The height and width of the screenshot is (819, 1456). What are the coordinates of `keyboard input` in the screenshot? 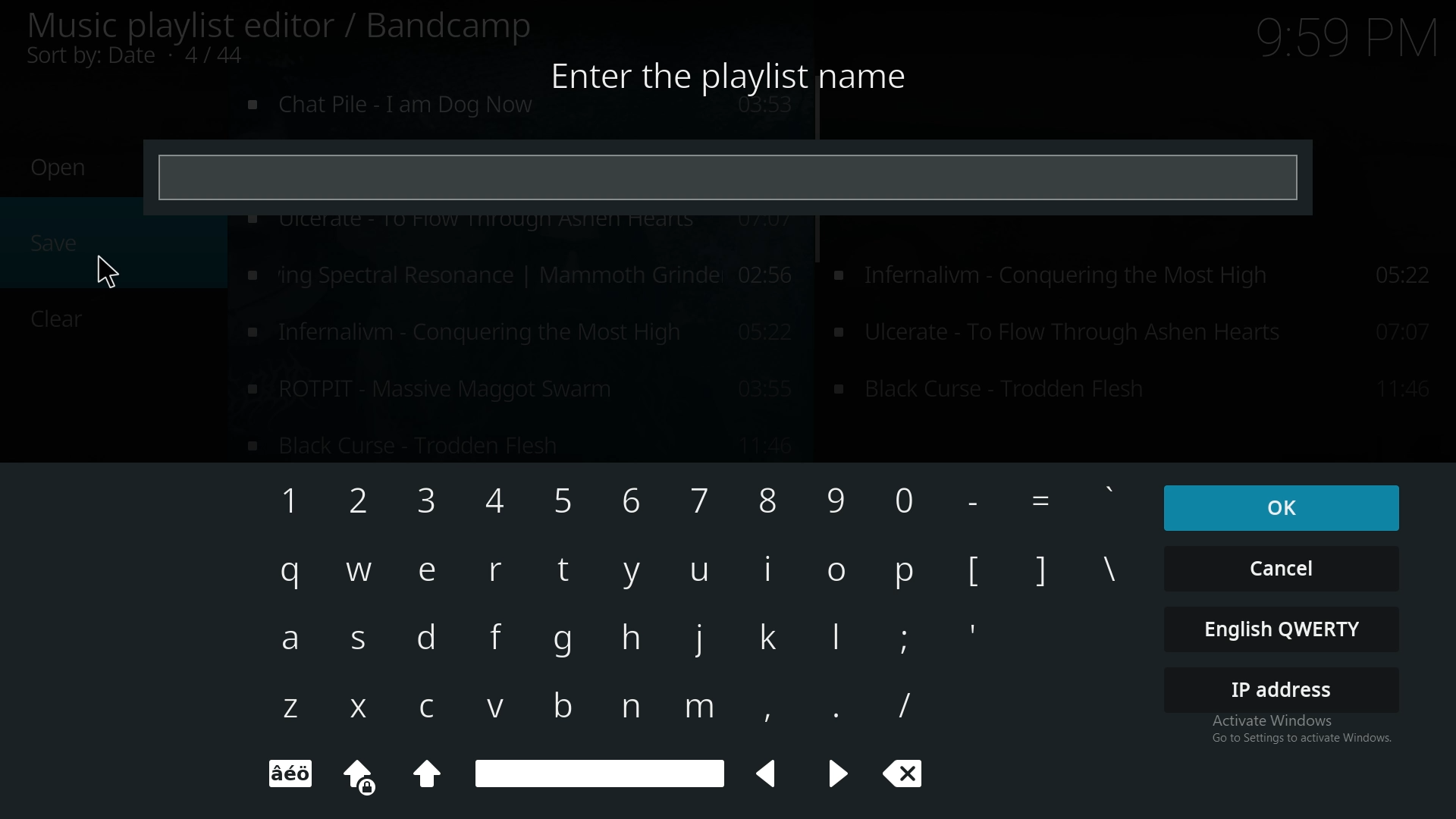 It's located at (635, 576).